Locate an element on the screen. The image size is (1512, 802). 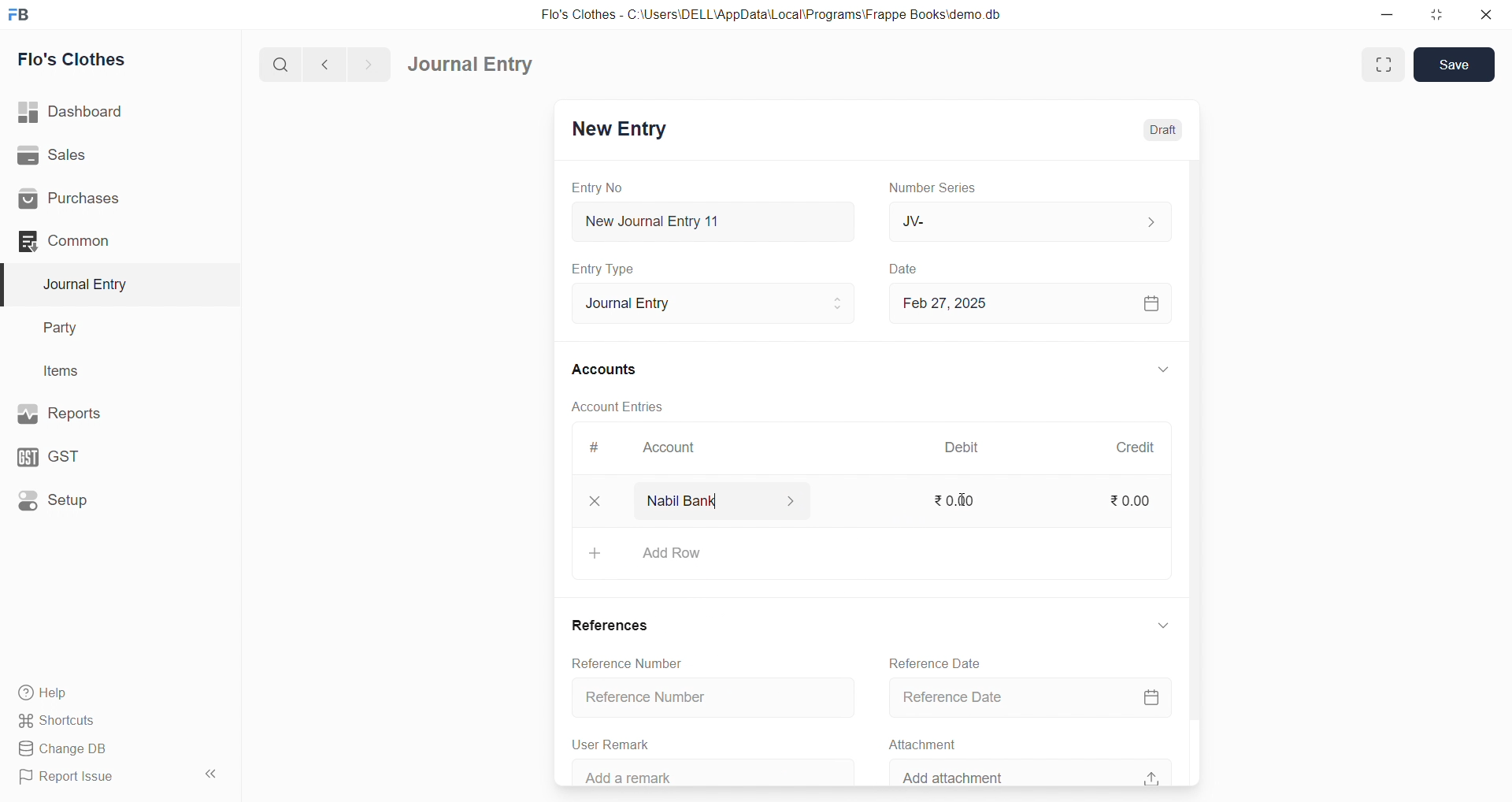
Shortcuts is located at coordinates (95, 722).